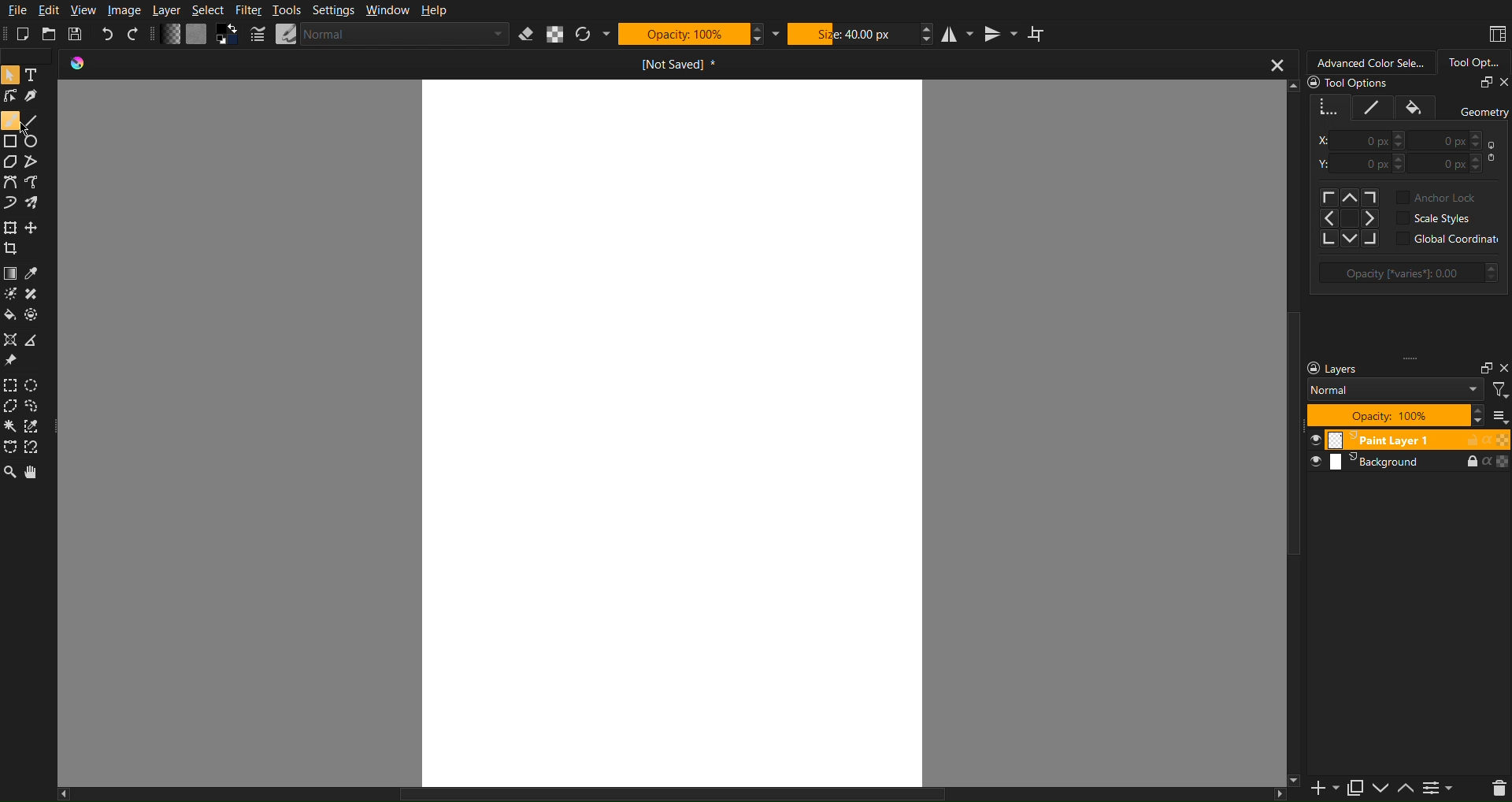  What do you see at coordinates (1405, 463) in the screenshot?
I see `Layers` at bounding box center [1405, 463].